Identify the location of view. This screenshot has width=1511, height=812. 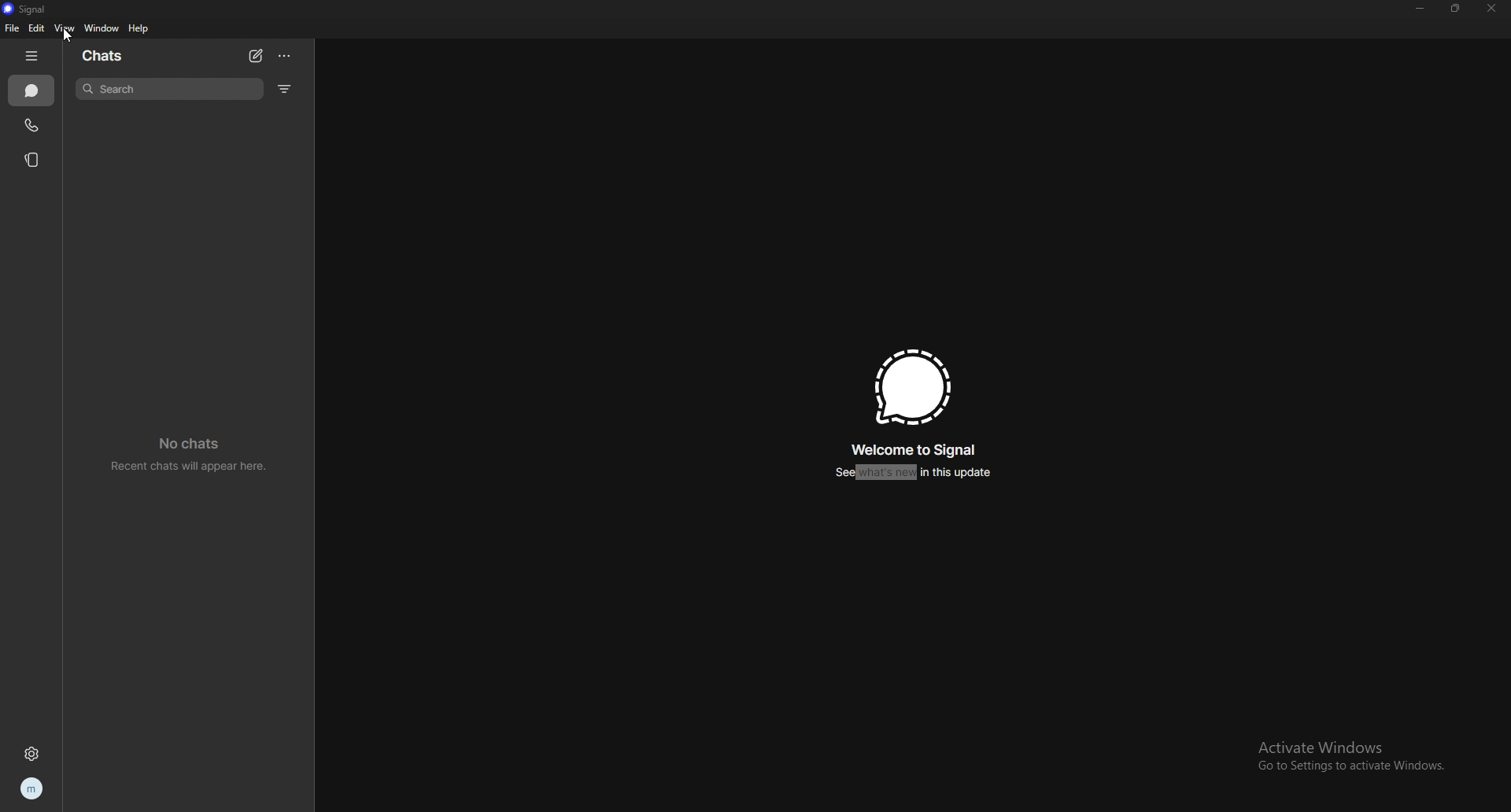
(64, 29).